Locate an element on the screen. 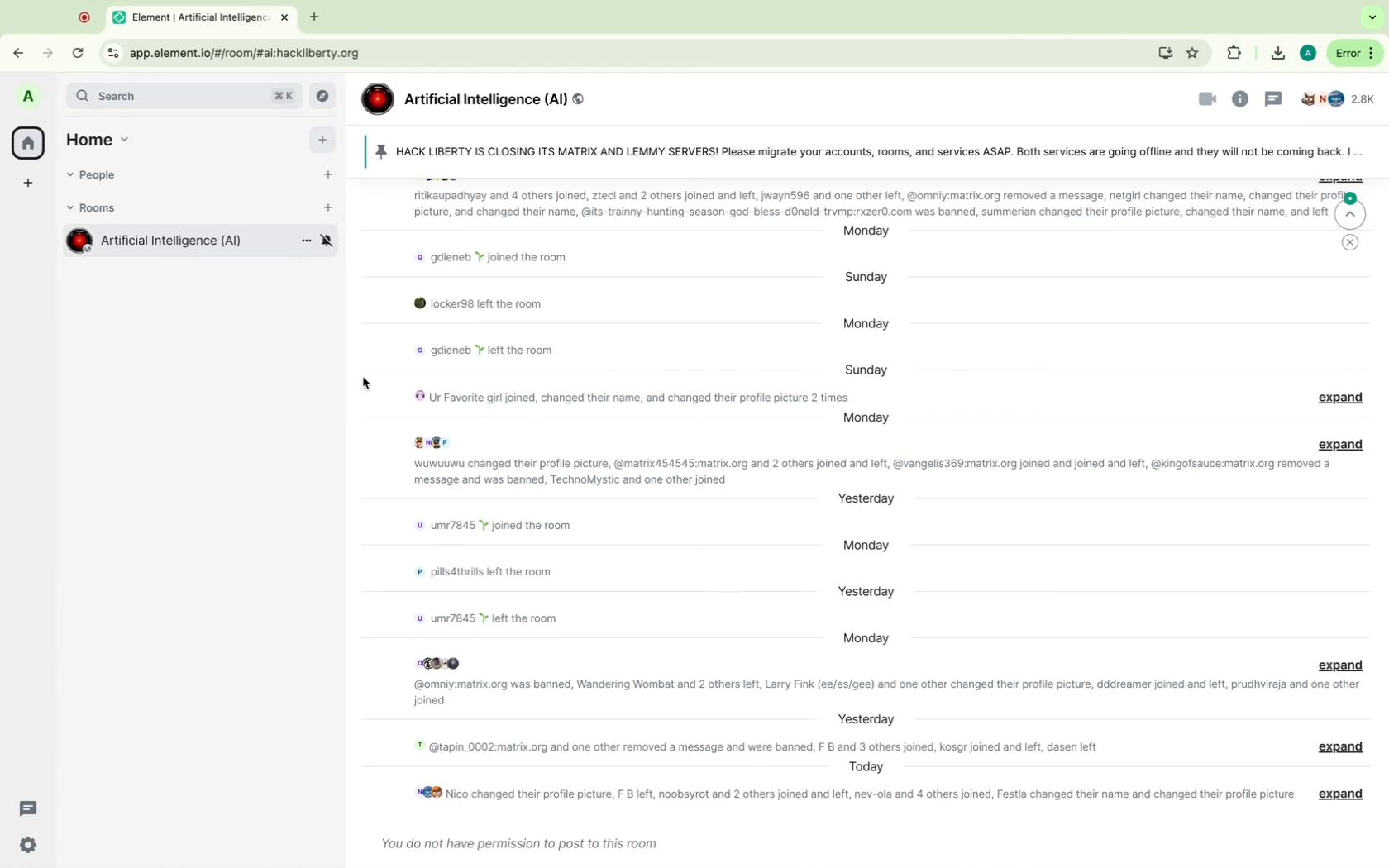  message is located at coordinates (480, 351).